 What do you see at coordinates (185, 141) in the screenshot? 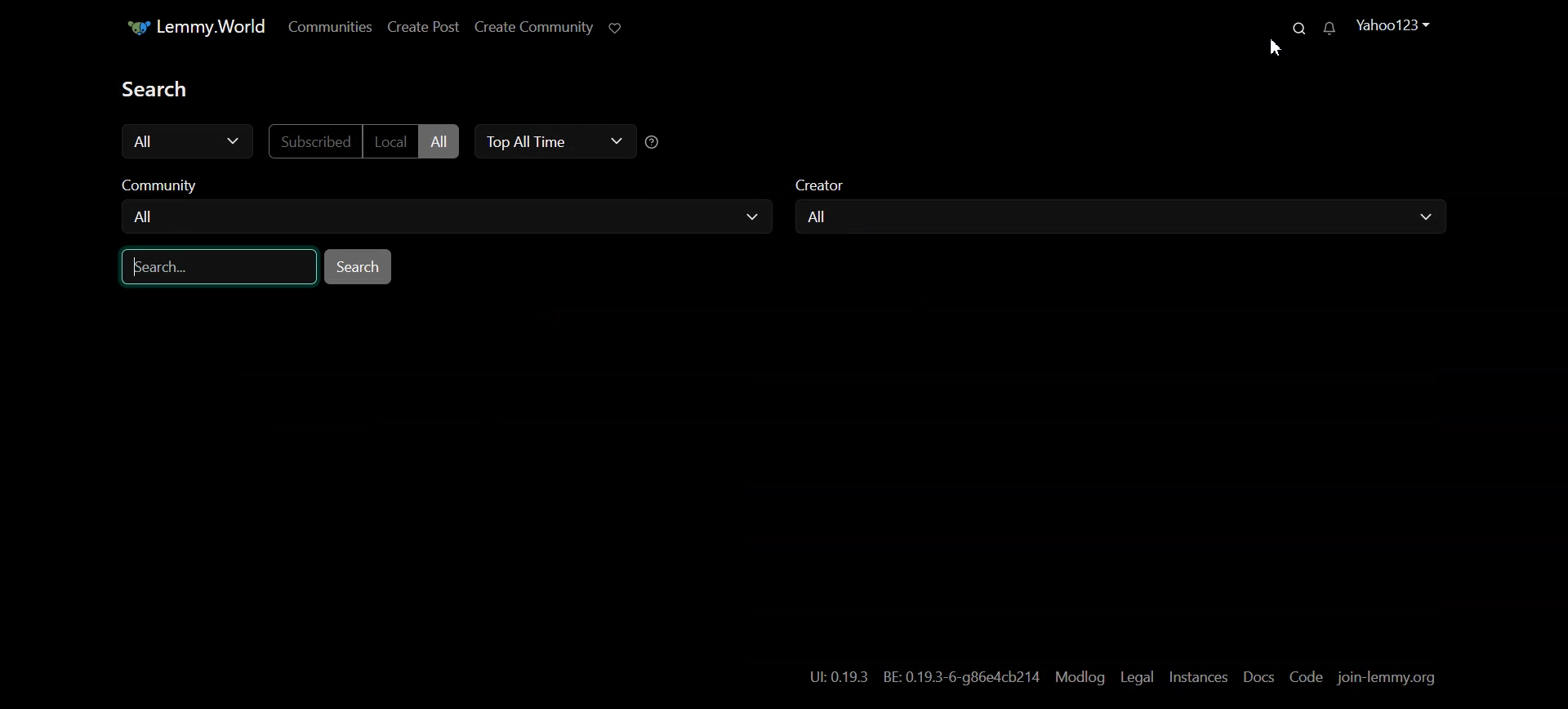
I see `All` at bounding box center [185, 141].